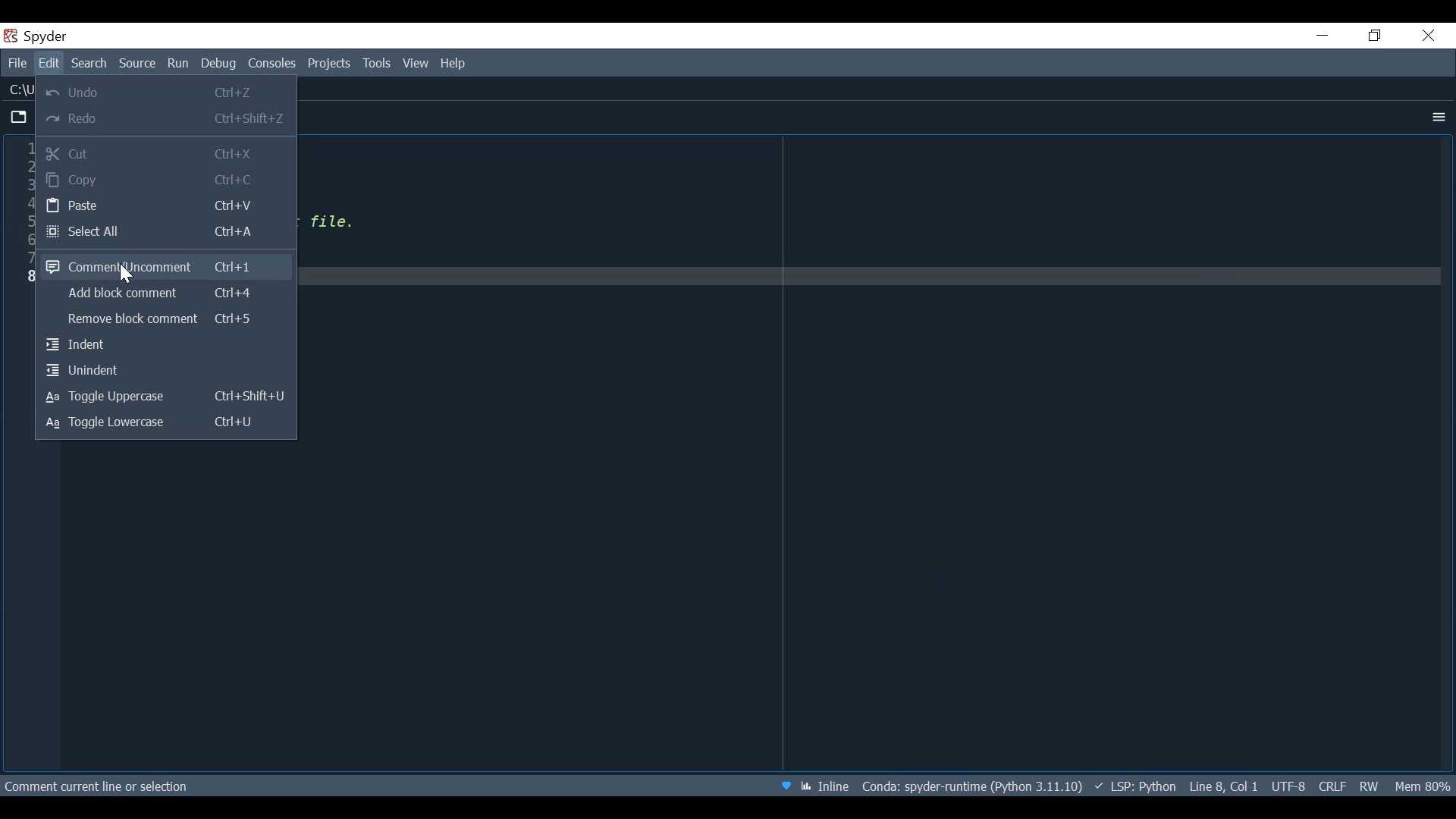 The height and width of the screenshot is (819, 1456). Describe the element at coordinates (165, 423) in the screenshot. I see `Toggle lowercase` at that location.